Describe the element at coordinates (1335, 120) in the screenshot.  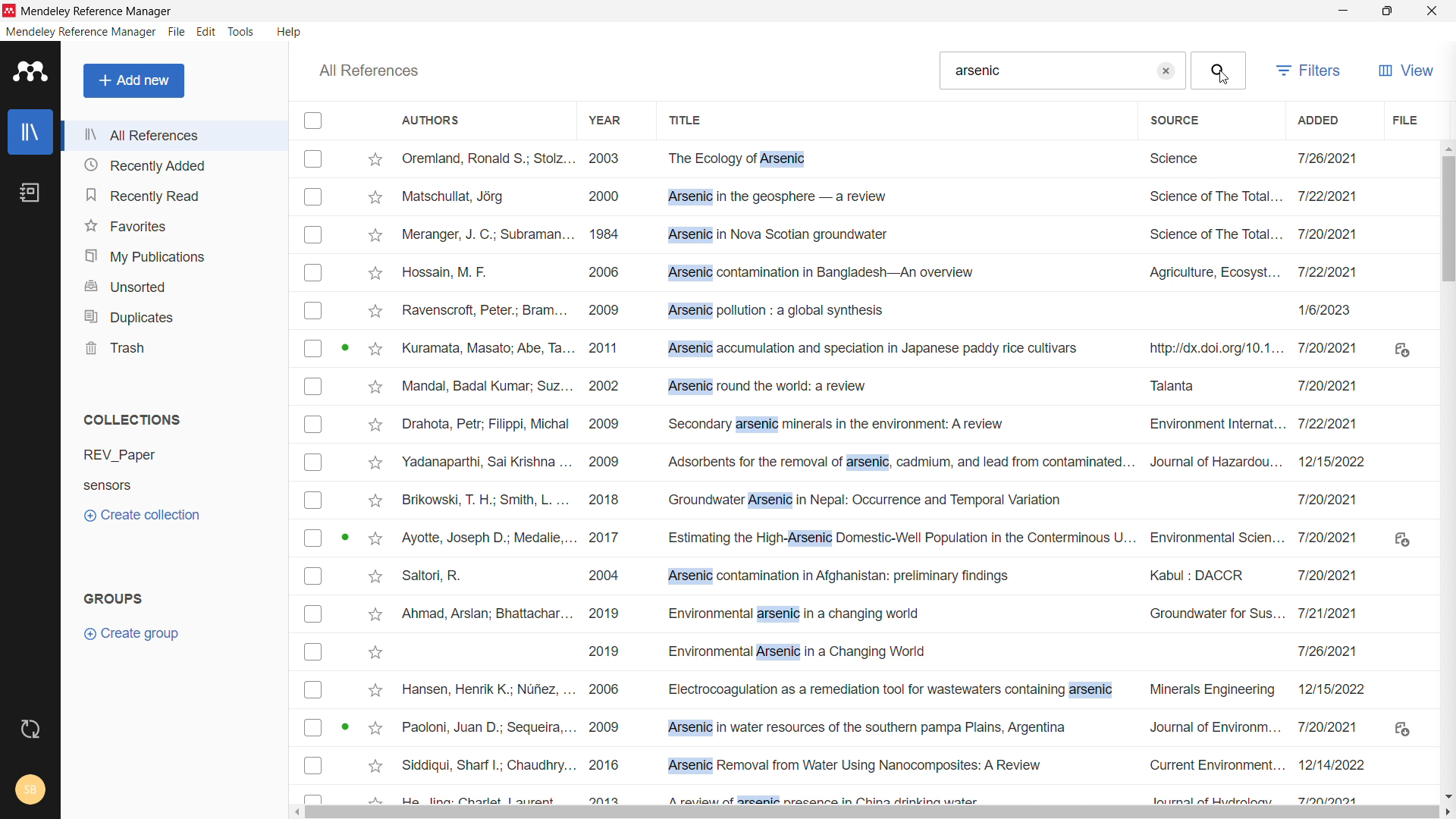
I see `added` at that location.